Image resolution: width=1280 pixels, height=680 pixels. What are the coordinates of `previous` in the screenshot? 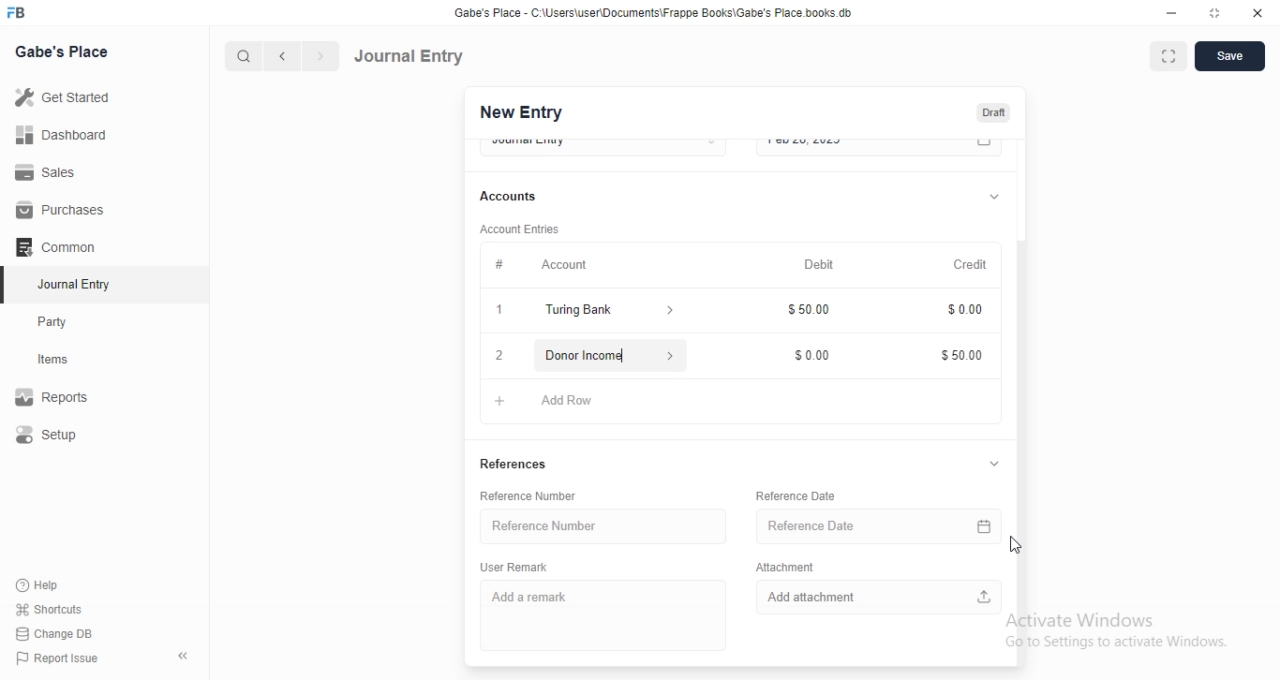 It's located at (279, 56).